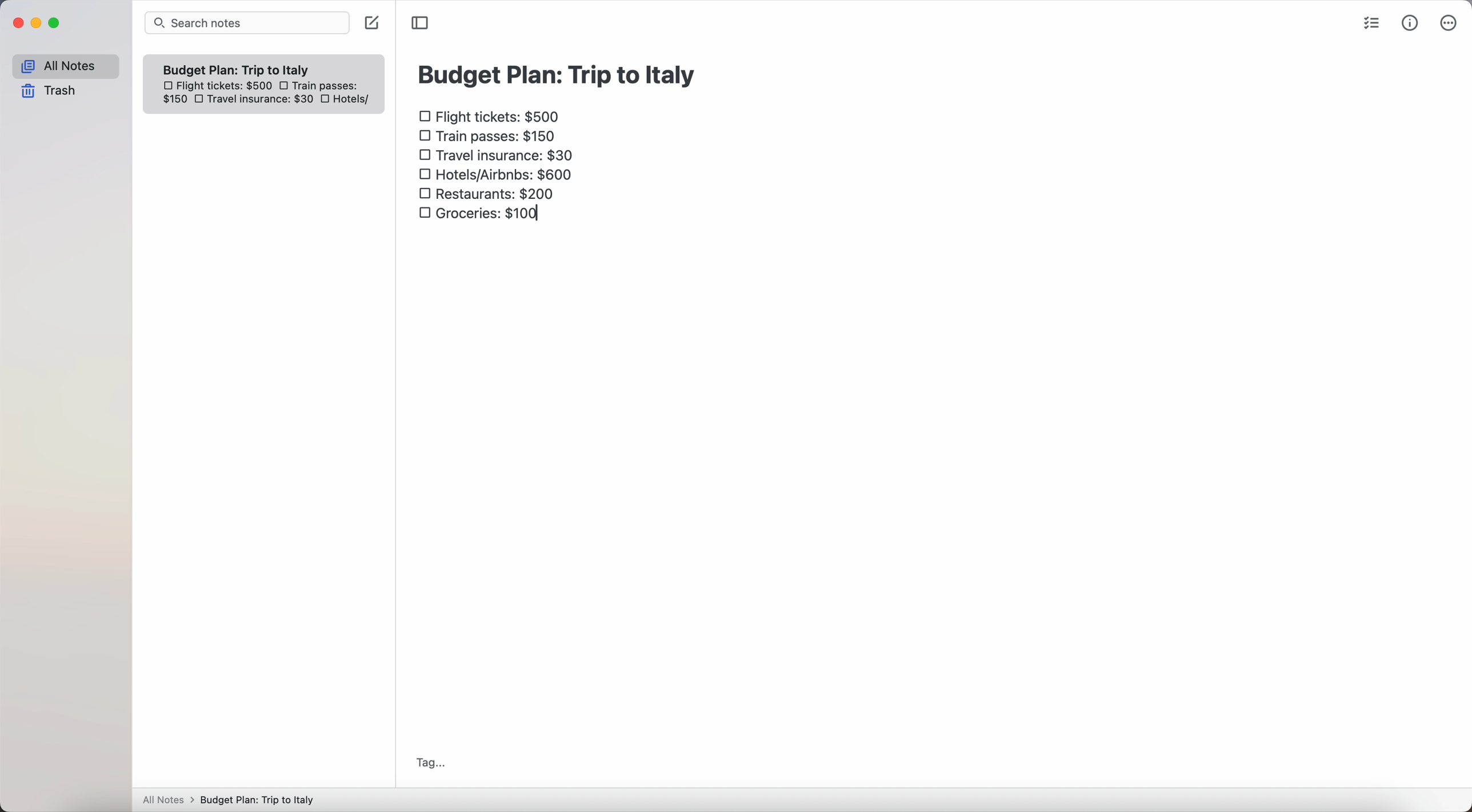 The width and height of the screenshot is (1472, 812). I want to click on groceries: $100 checkbox, so click(473, 214).